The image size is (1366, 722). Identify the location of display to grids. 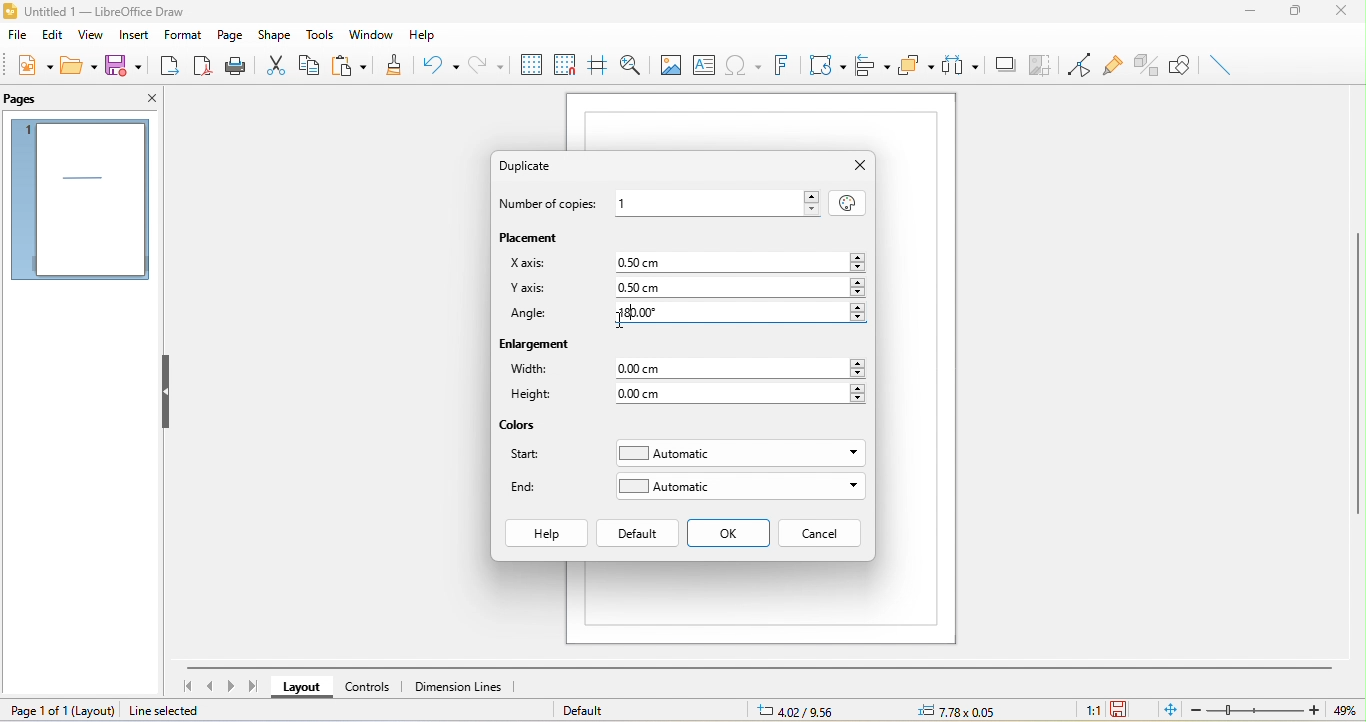
(530, 64).